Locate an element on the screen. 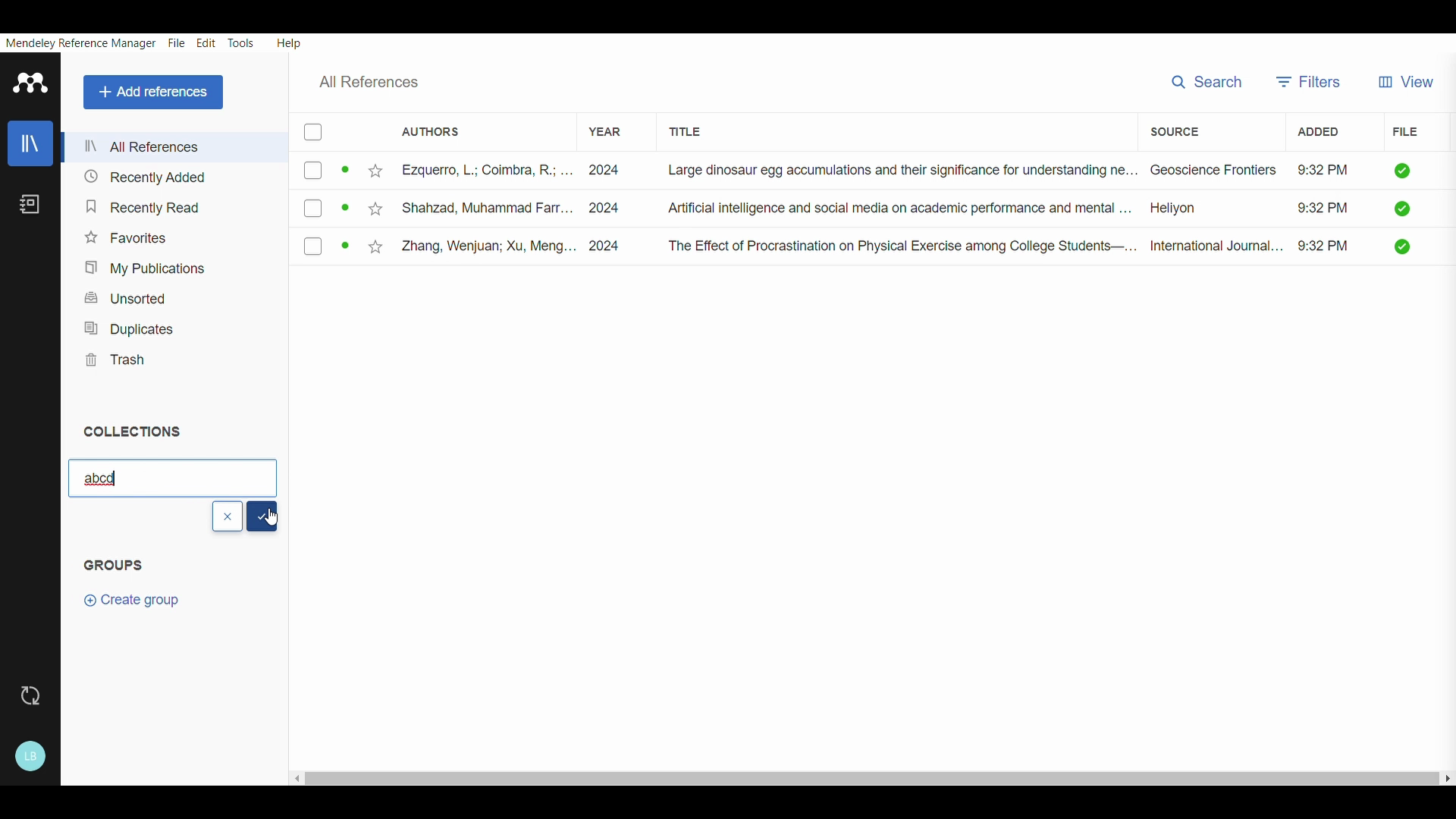 The image size is (1456, 819). Help is located at coordinates (291, 41).